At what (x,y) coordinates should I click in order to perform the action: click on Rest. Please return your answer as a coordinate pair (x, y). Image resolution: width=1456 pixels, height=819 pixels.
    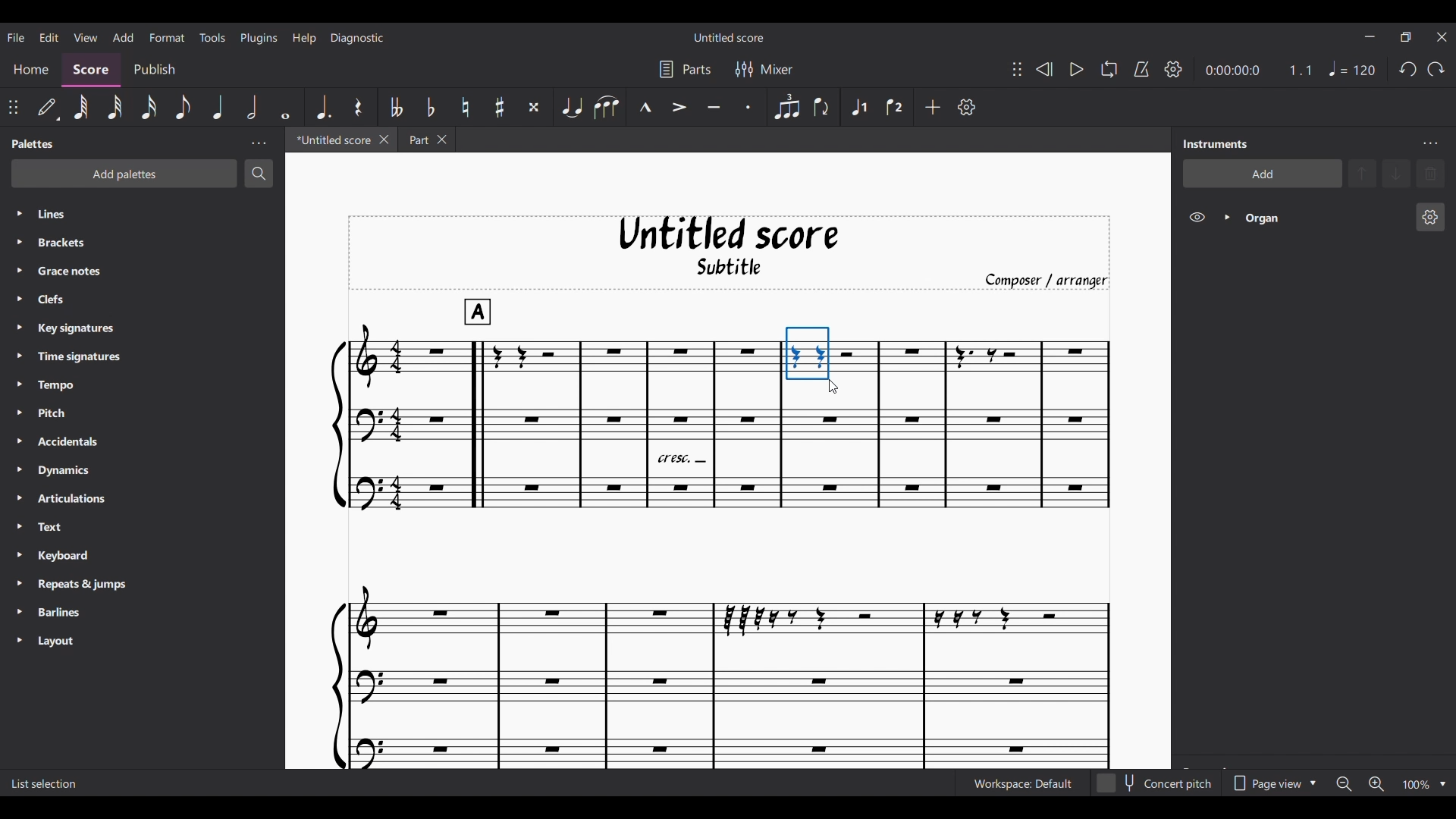
    Looking at the image, I should click on (357, 106).